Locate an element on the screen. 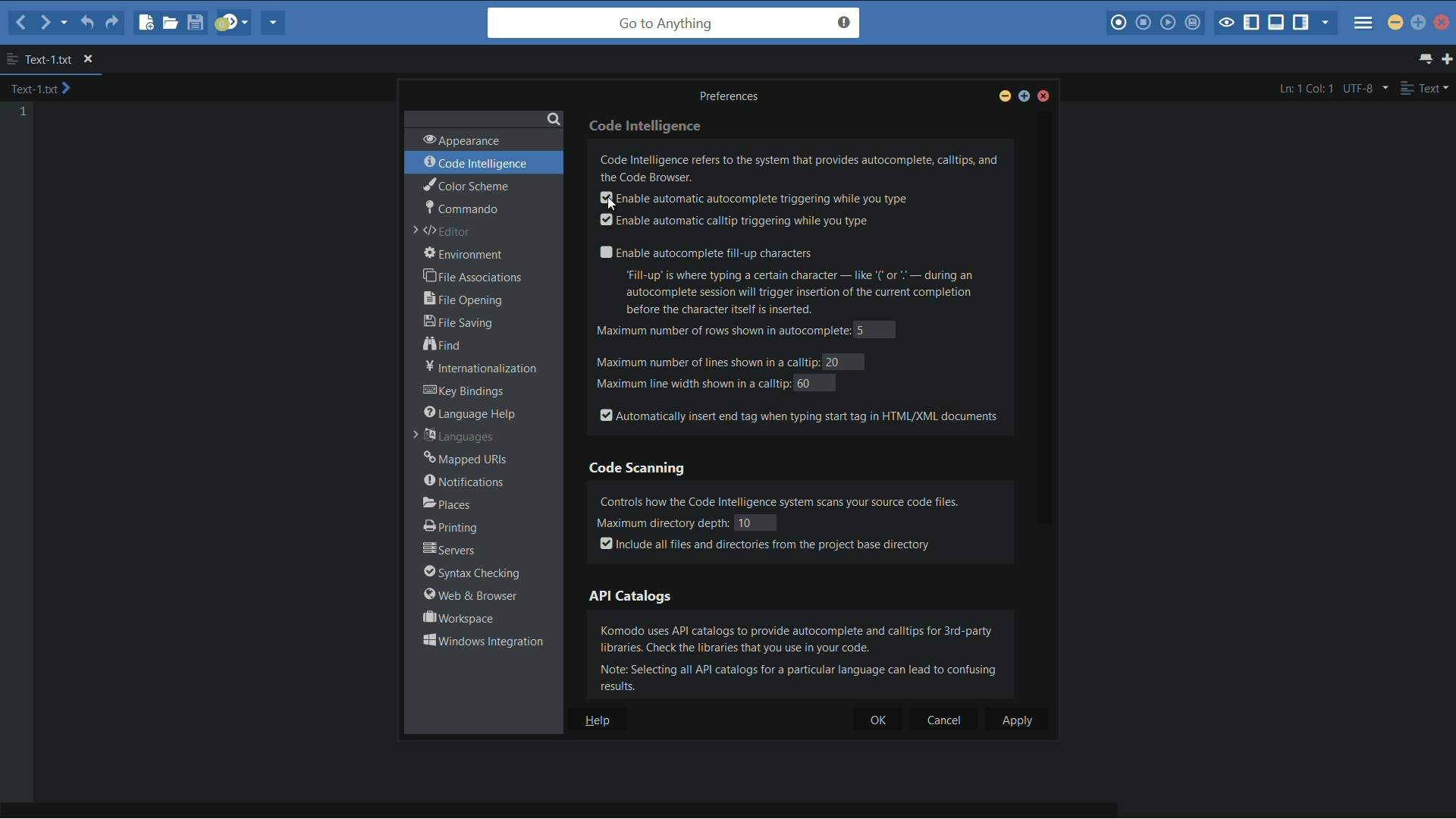  web and browser is located at coordinates (467, 596).